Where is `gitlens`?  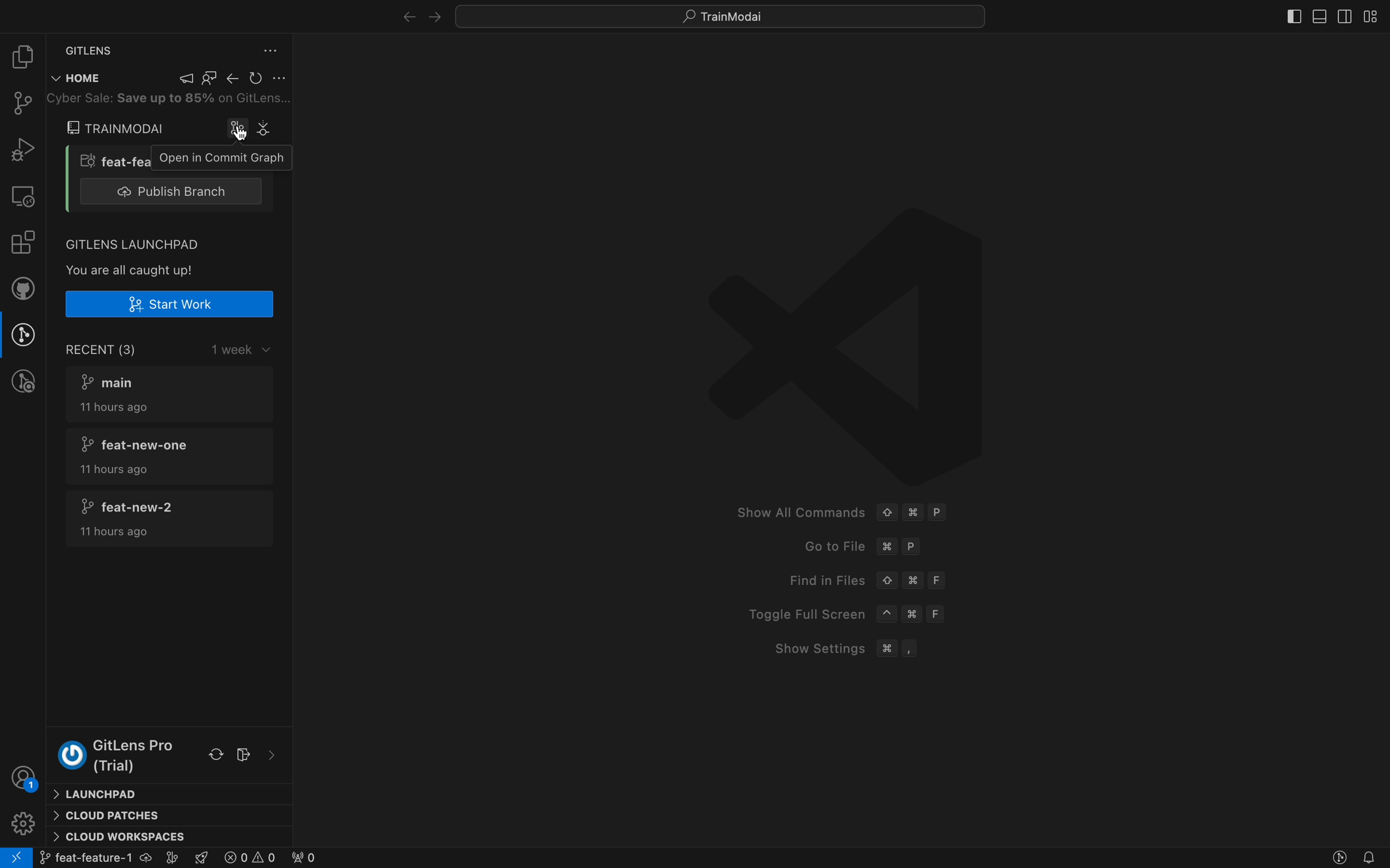 gitlens is located at coordinates (1339, 858).